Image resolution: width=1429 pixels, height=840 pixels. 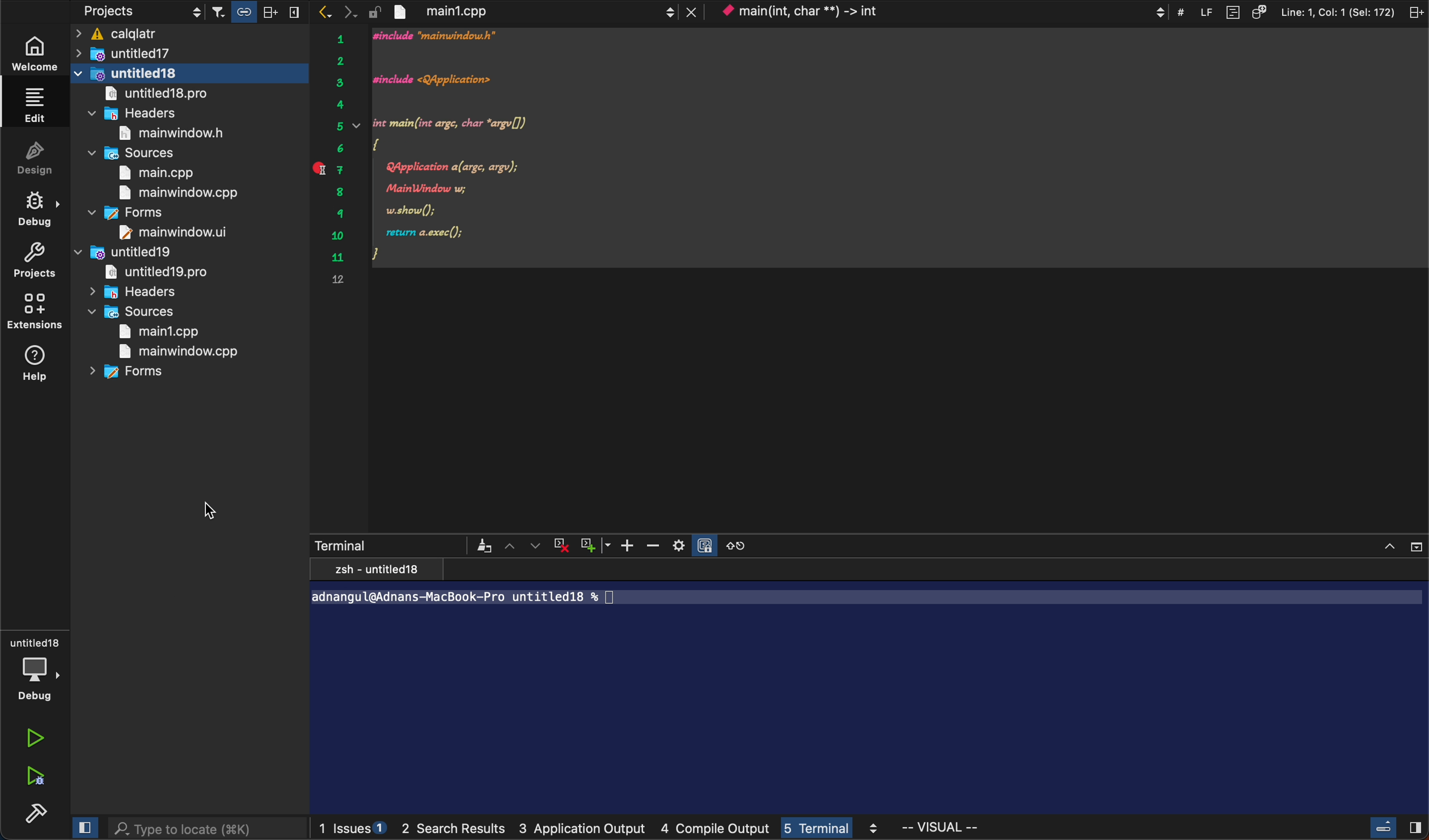 I want to click on main1,cpp, so click(x=163, y=332).